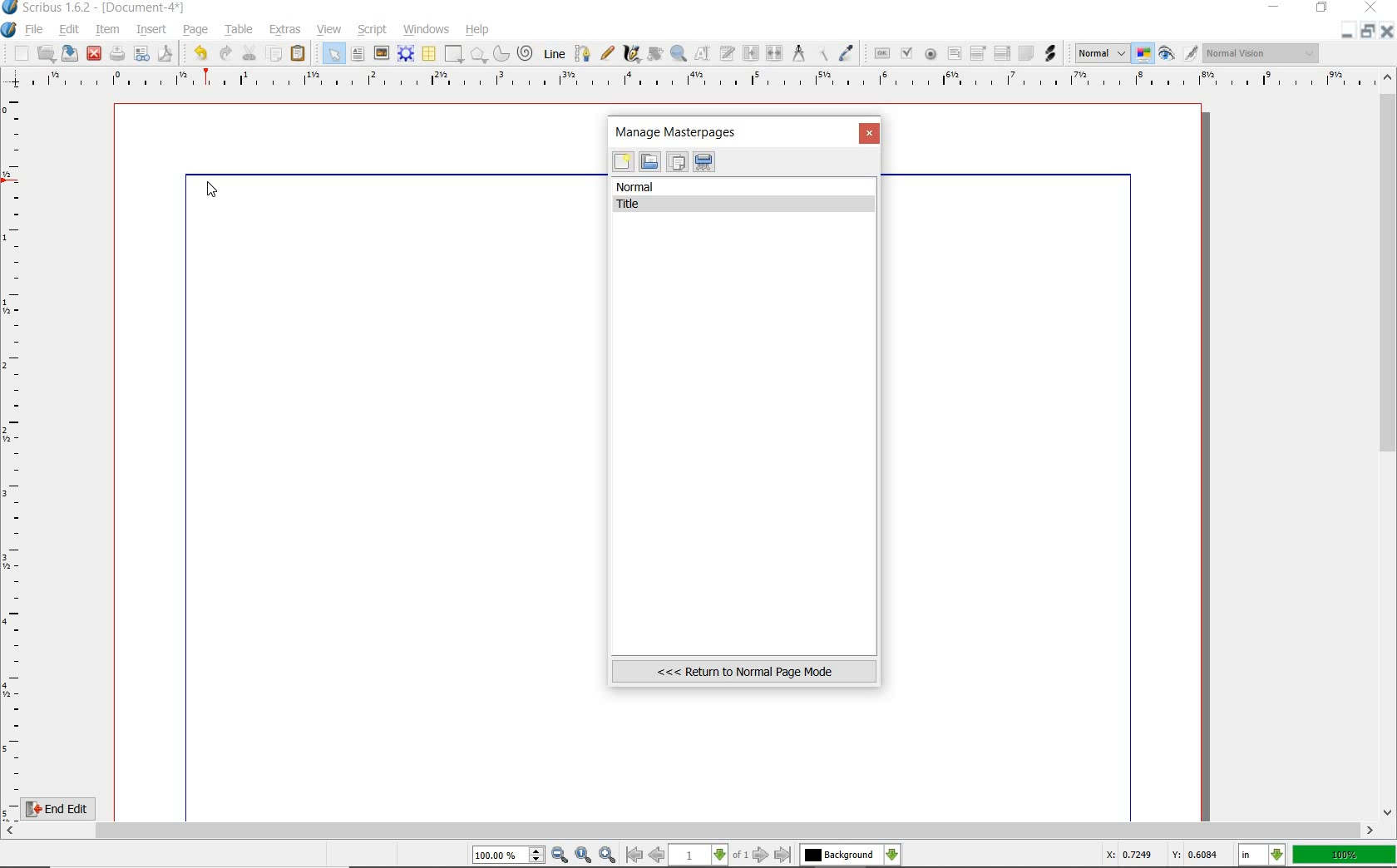 Image resolution: width=1397 pixels, height=868 pixels. Describe the element at coordinates (560, 856) in the screenshot. I see `zoom out` at that location.